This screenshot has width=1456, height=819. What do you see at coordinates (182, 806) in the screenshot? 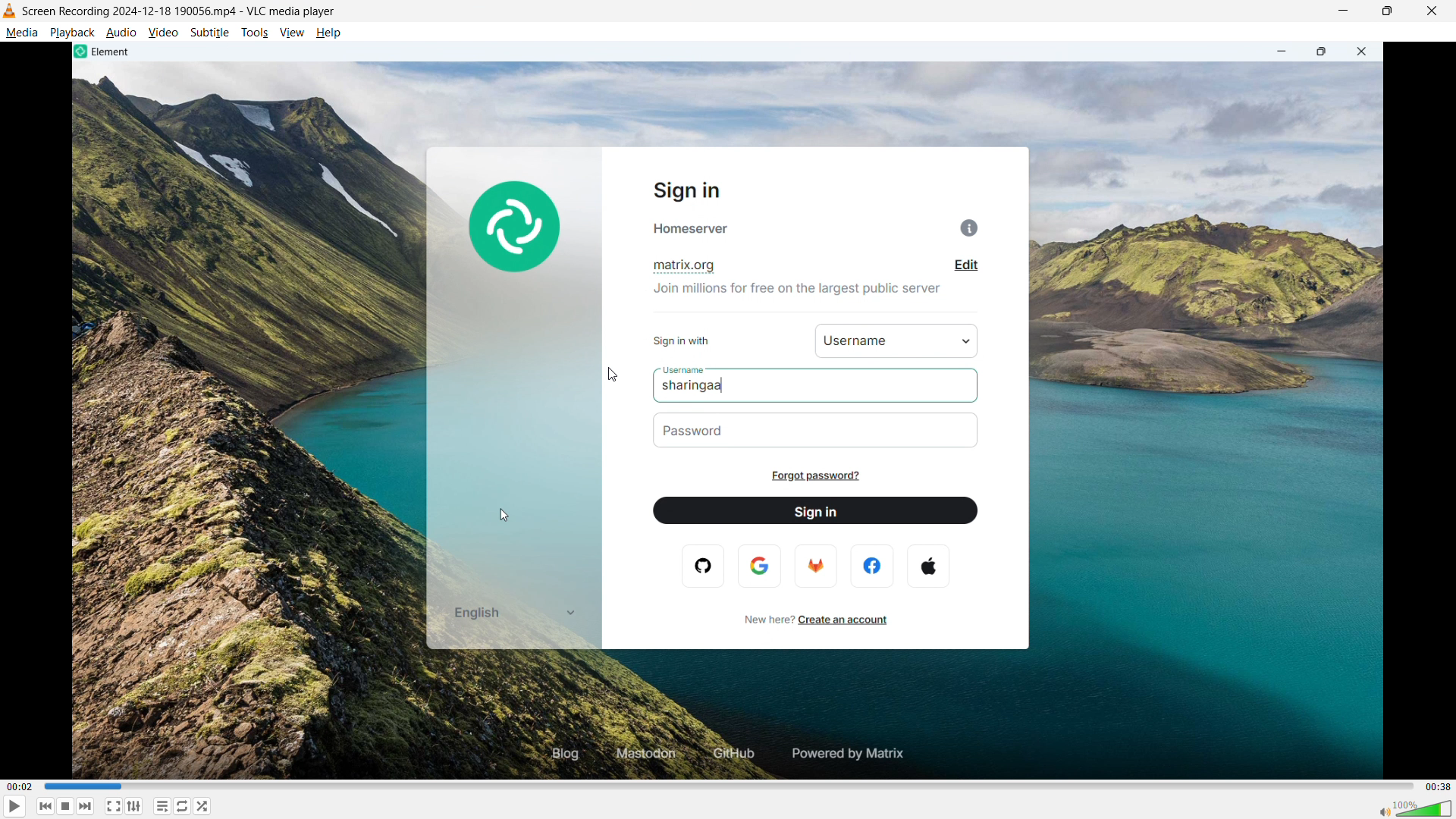
I see `Toggle between loop all, one loop and no loop` at bounding box center [182, 806].